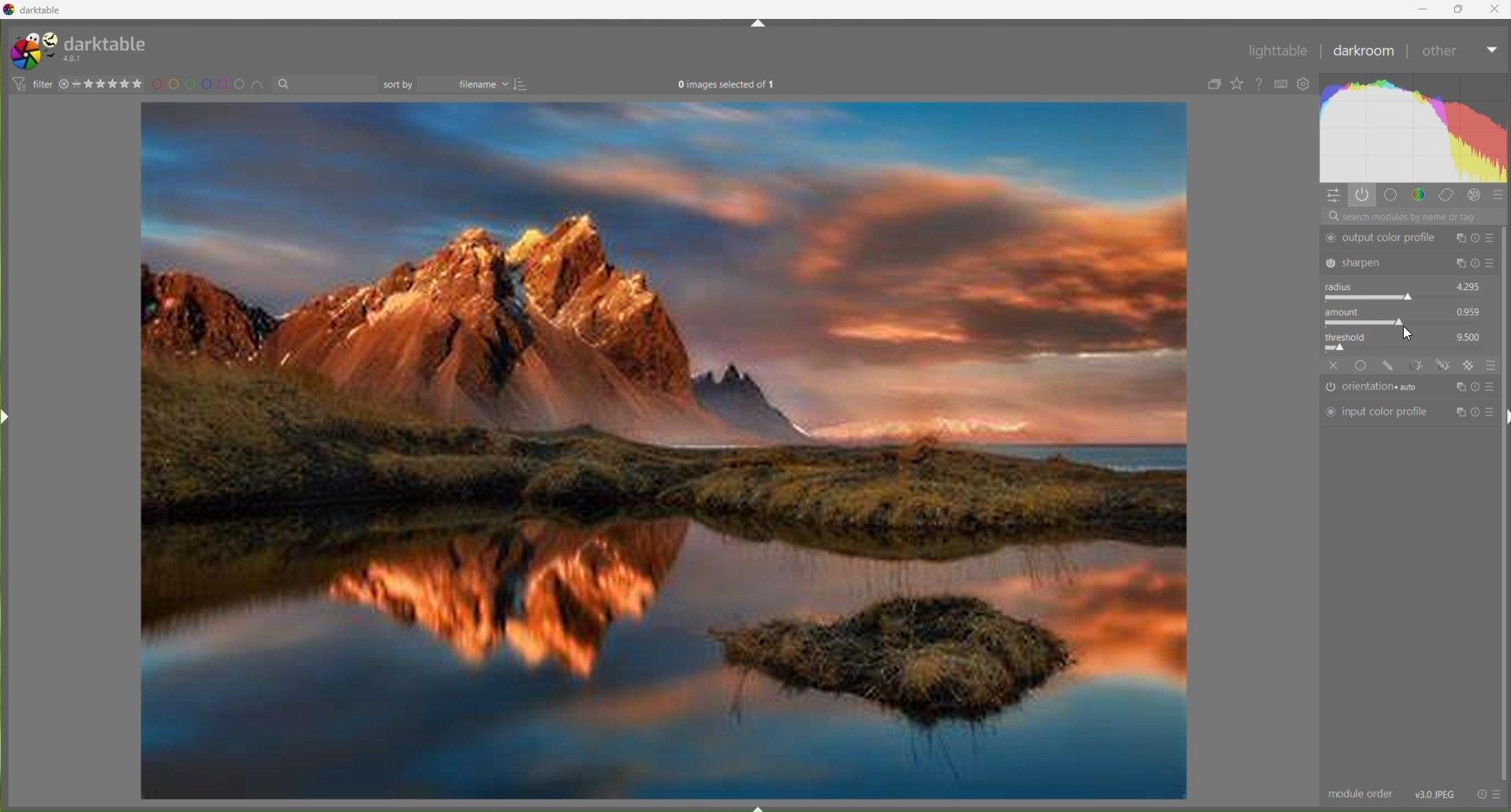 The height and width of the screenshot is (812, 1511). I want to click on logo, so click(32, 51).